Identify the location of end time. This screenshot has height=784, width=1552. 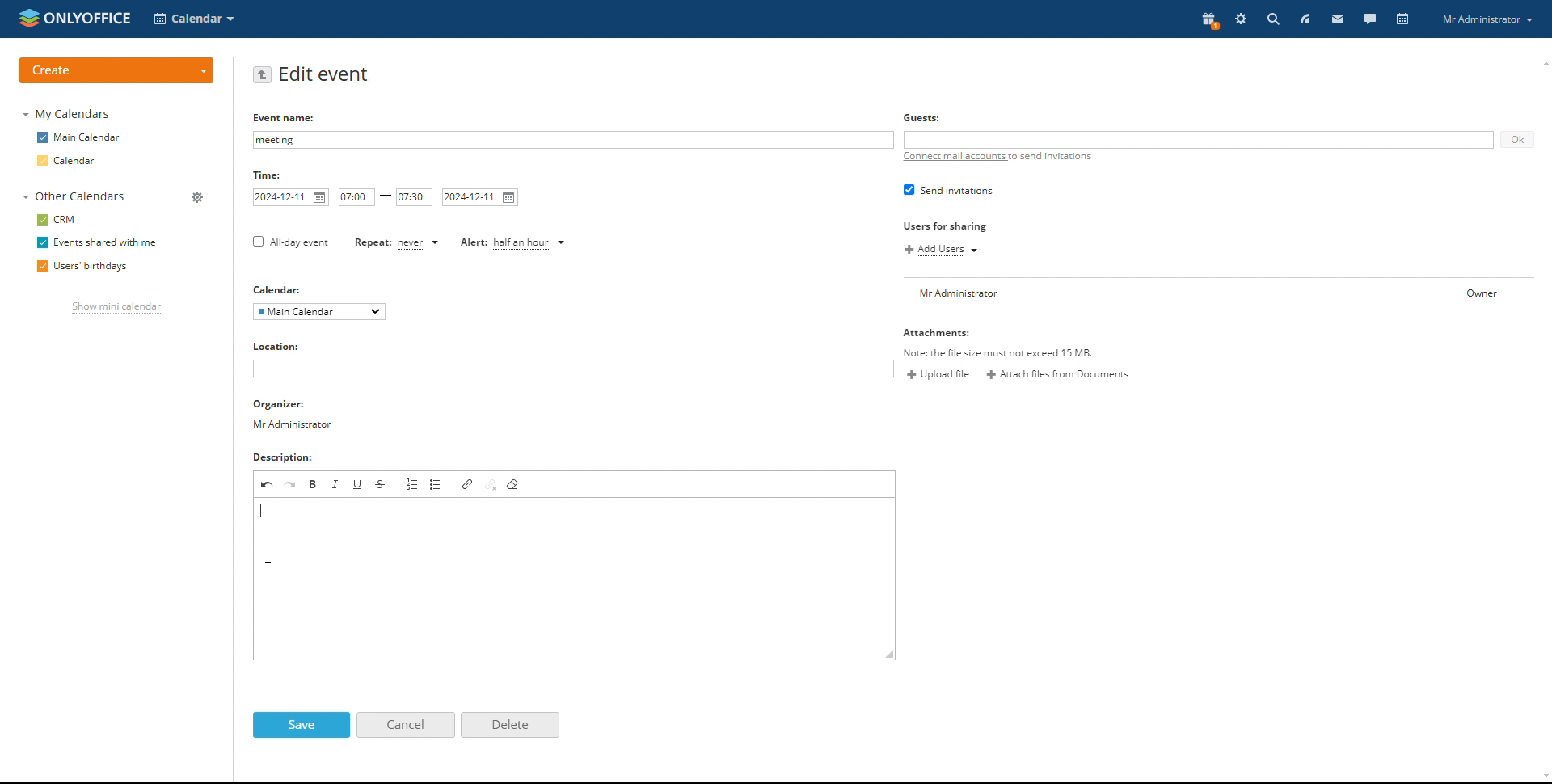
(414, 196).